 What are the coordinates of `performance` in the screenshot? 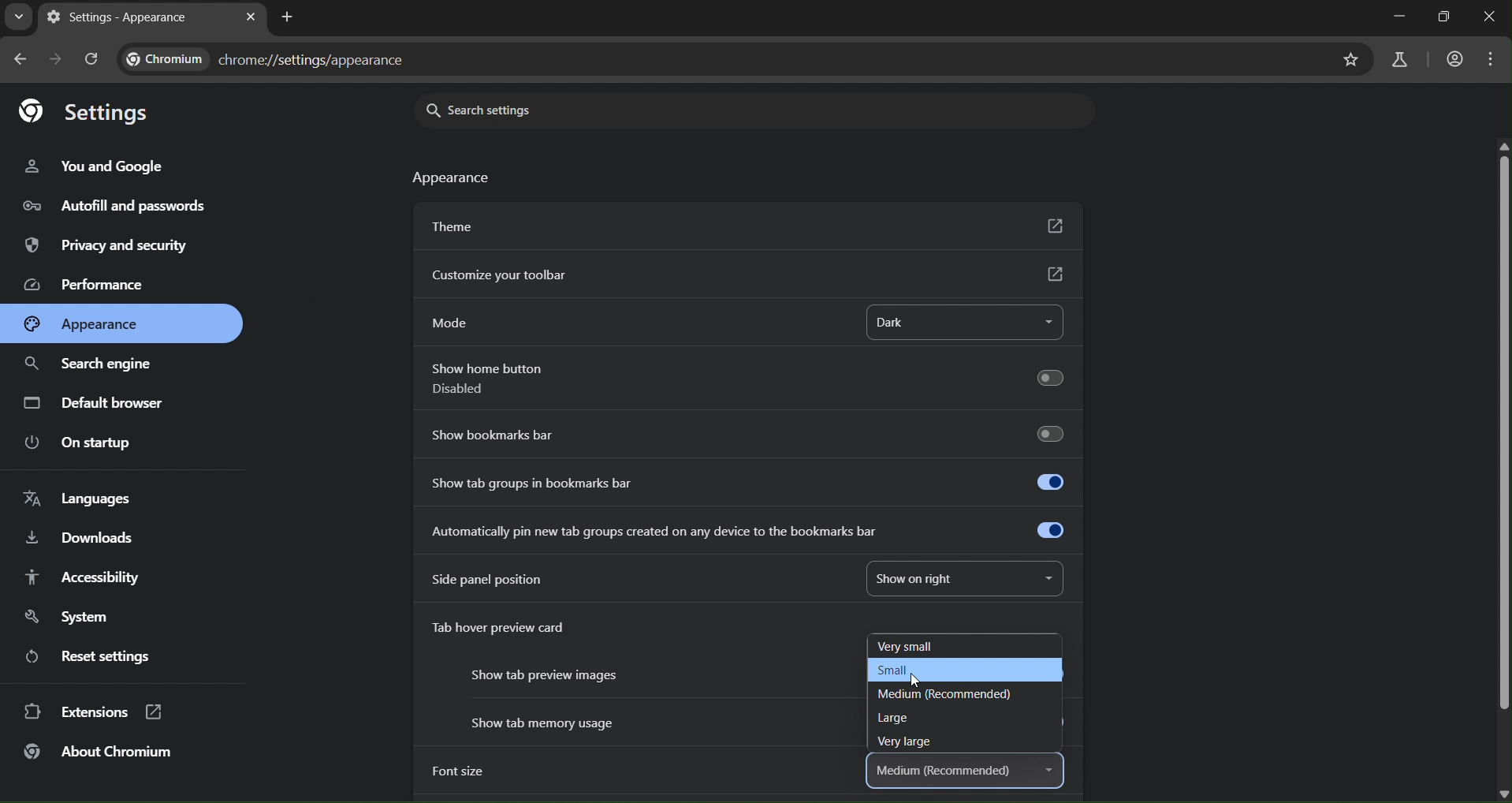 It's located at (84, 283).